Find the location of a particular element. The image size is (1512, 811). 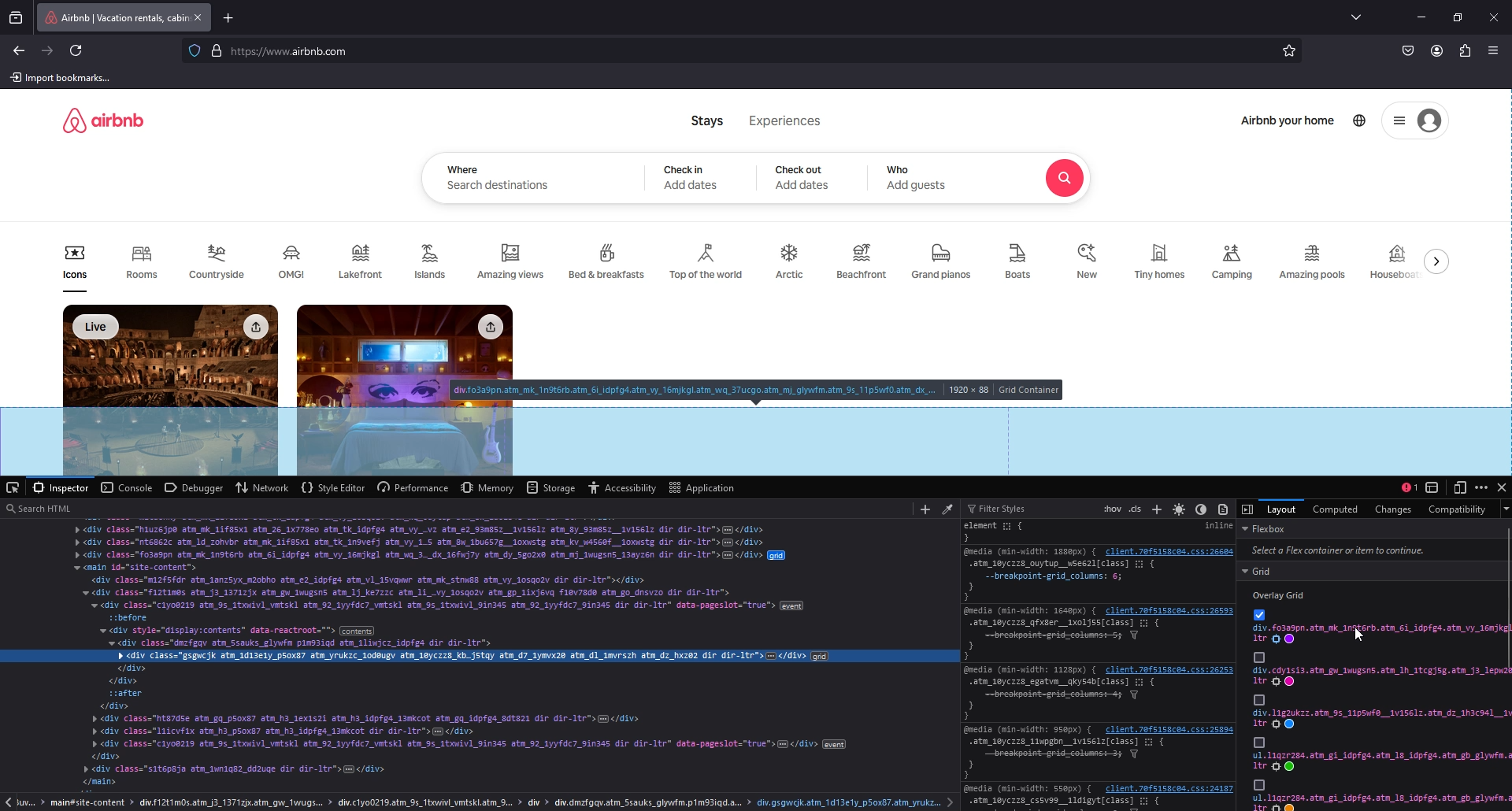

elements is located at coordinates (1065, 699).